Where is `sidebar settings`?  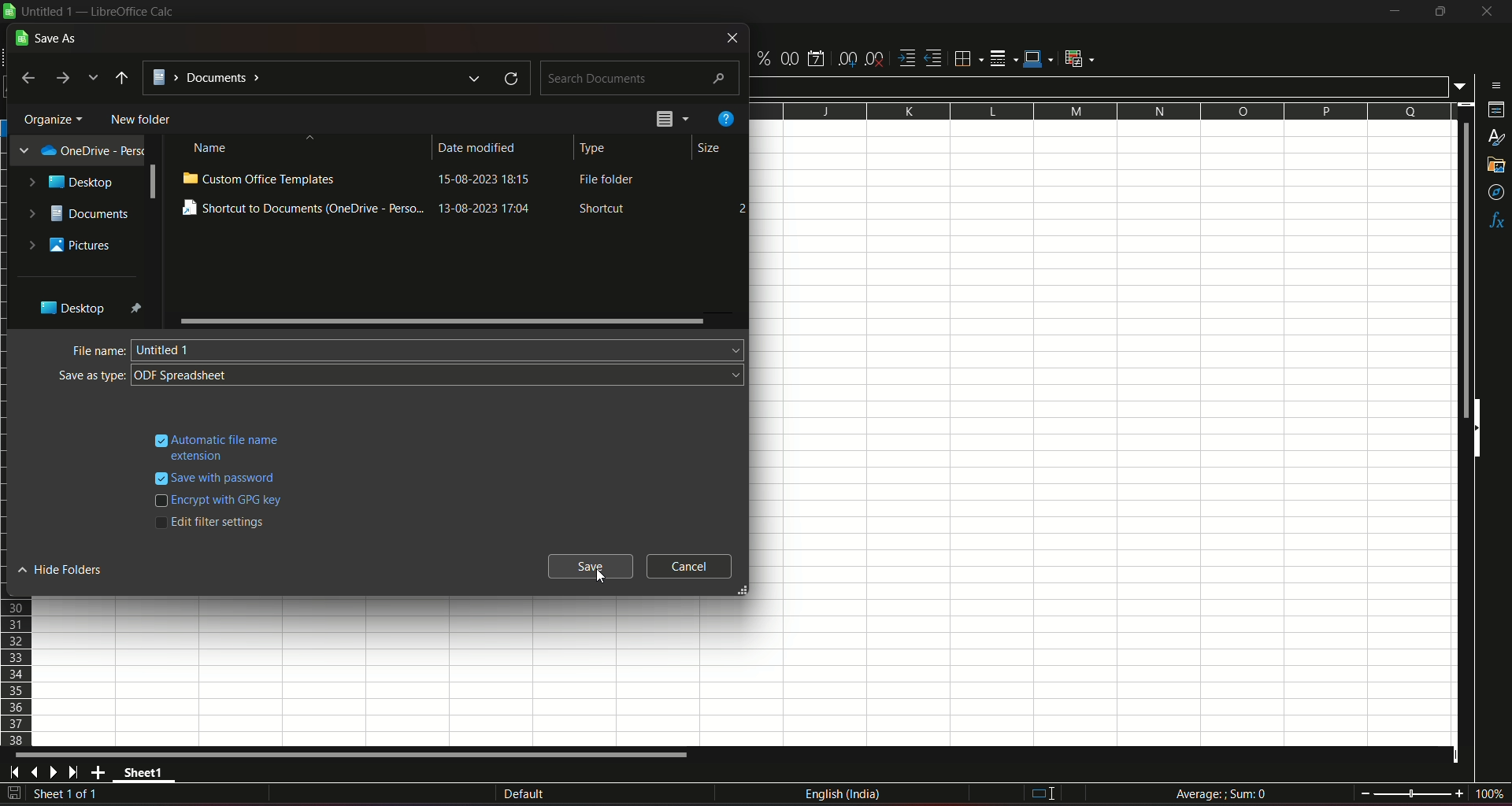 sidebar settings is located at coordinates (1492, 84).